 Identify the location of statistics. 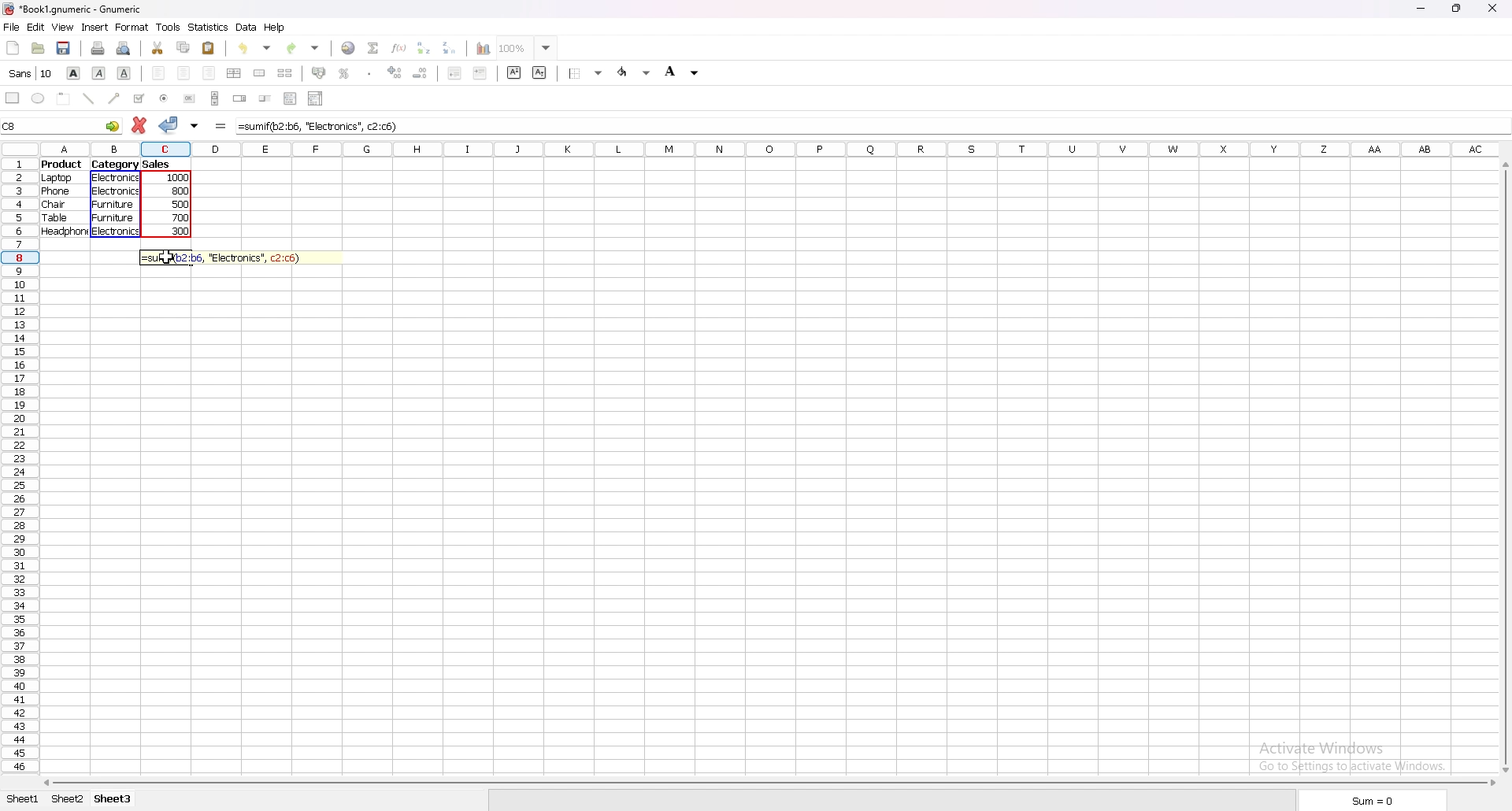
(209, 27).